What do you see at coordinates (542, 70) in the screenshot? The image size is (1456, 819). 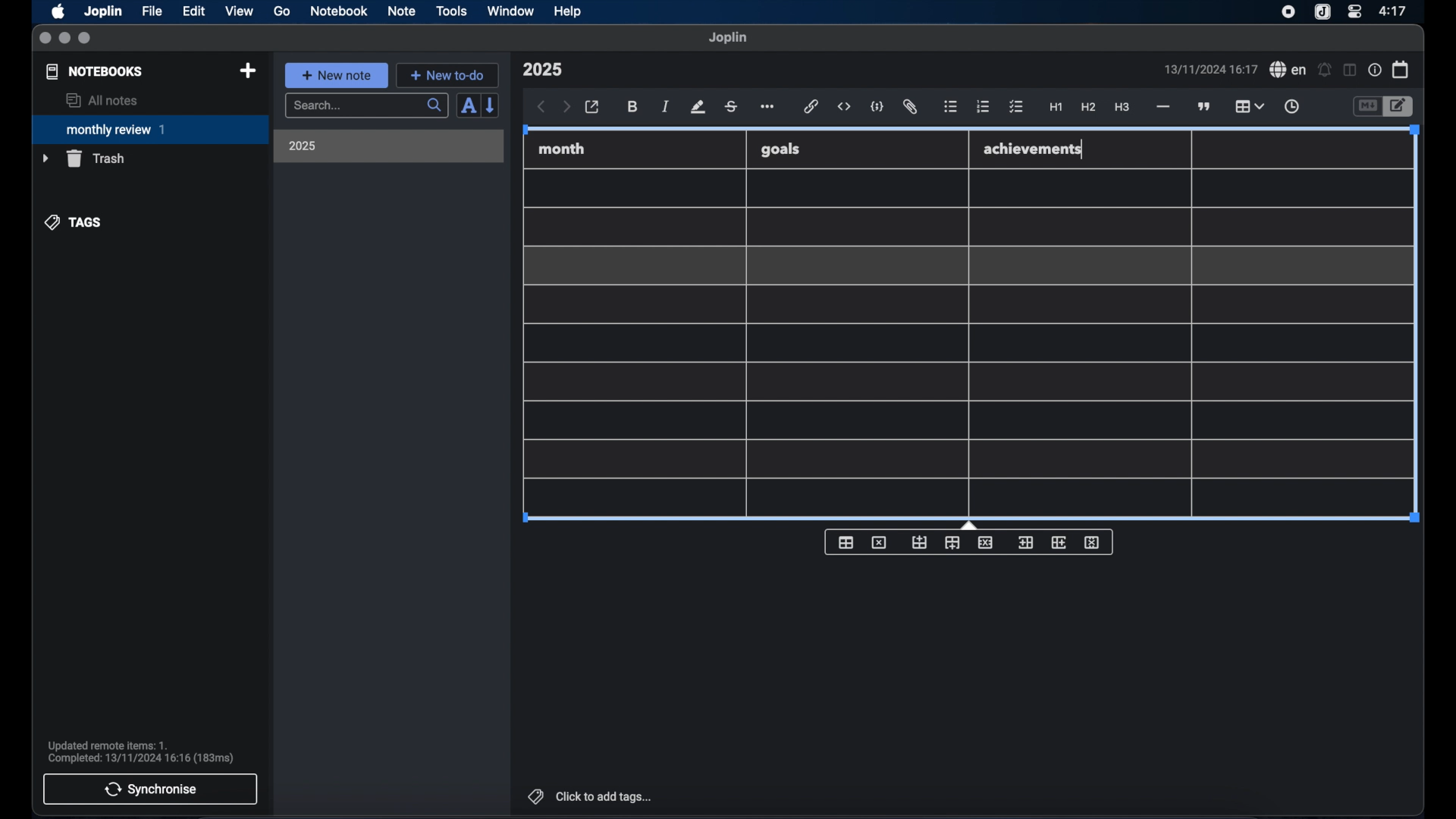 I see `note title` at bounding box center [542, 70].